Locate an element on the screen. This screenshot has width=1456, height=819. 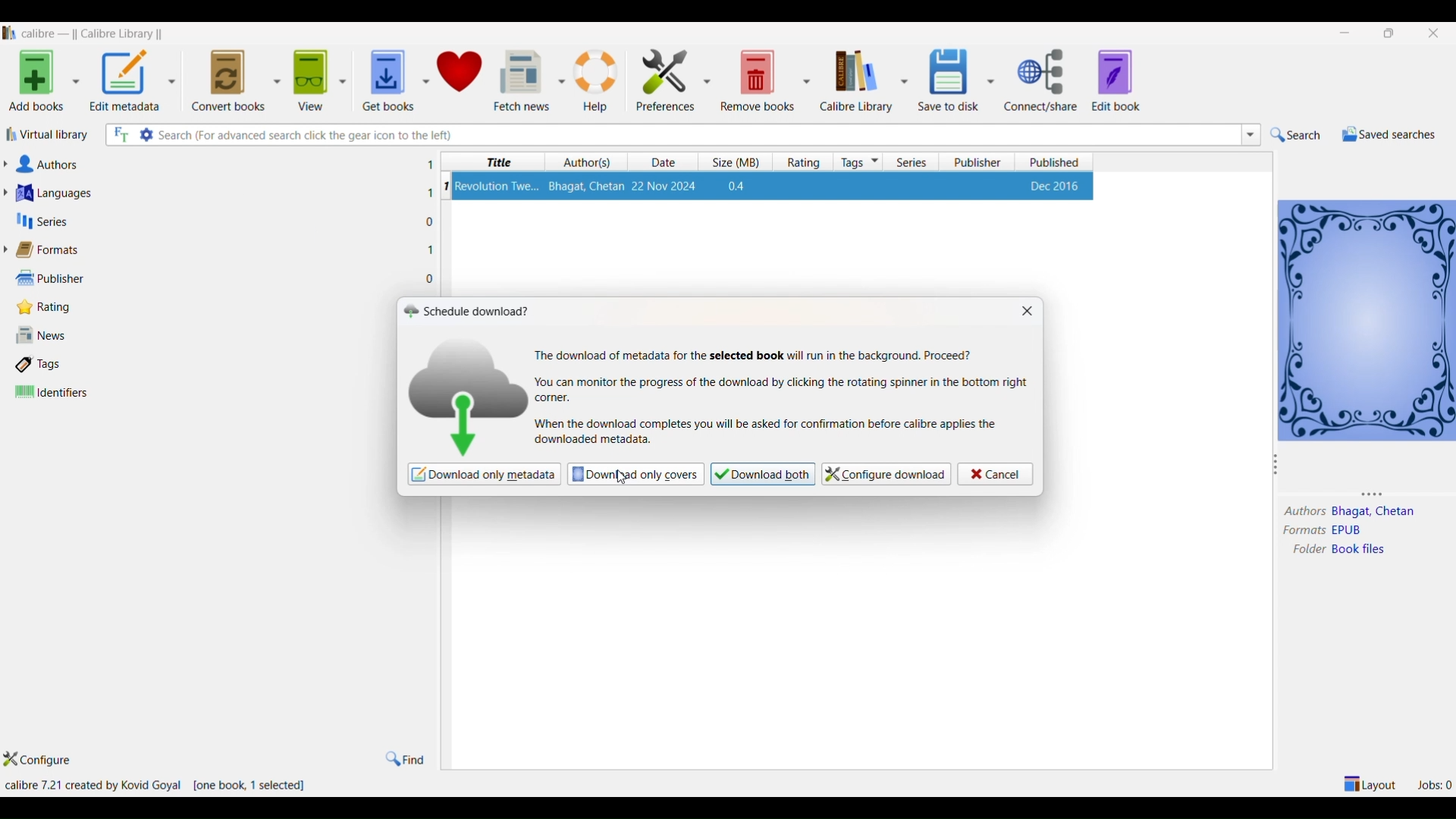
get books options dropdown button is located at coordinates (425, 73).